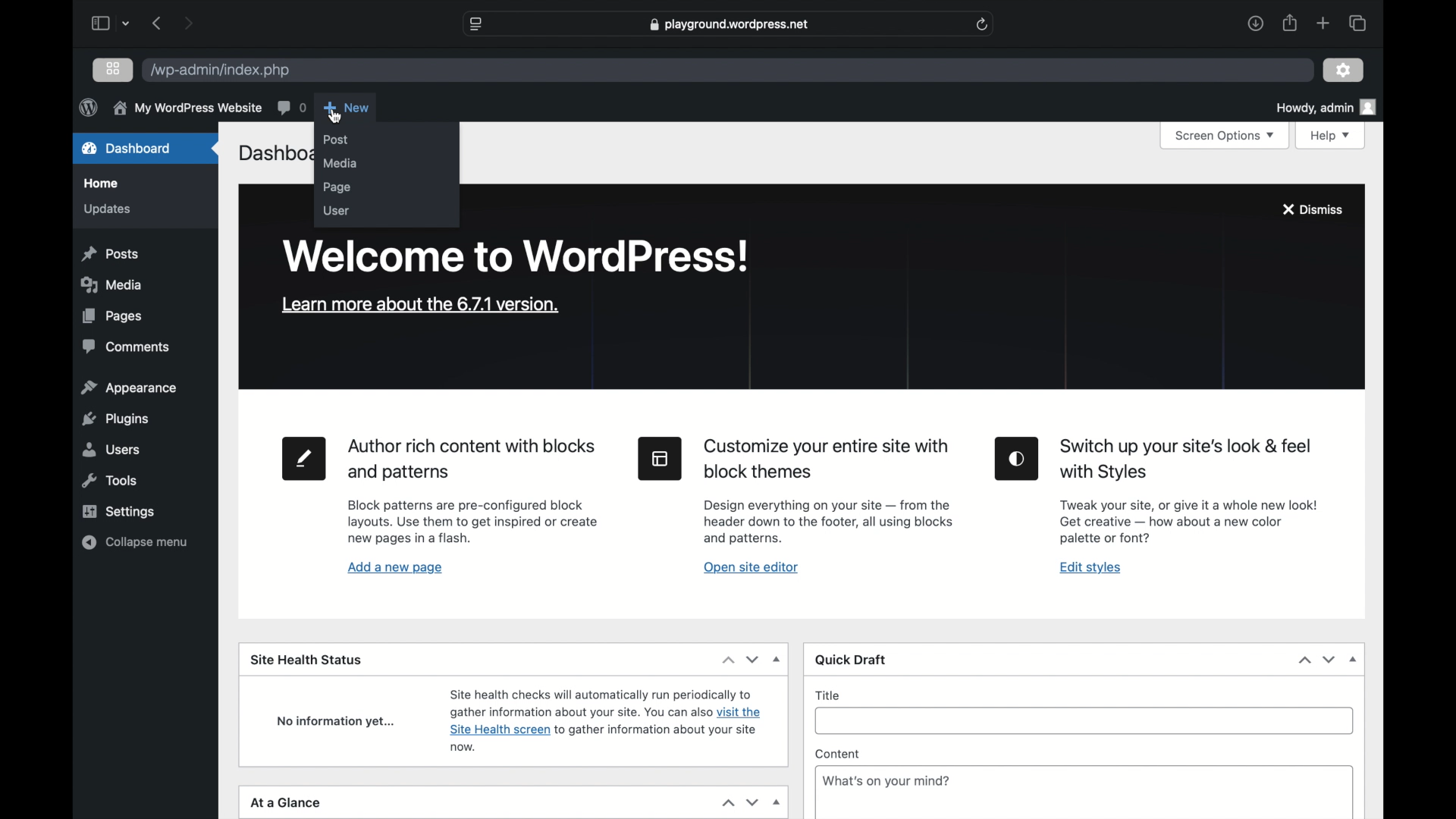 The width and height of the screenshot is (1456, 819). I want to click on page tool information, so click(473, 522).